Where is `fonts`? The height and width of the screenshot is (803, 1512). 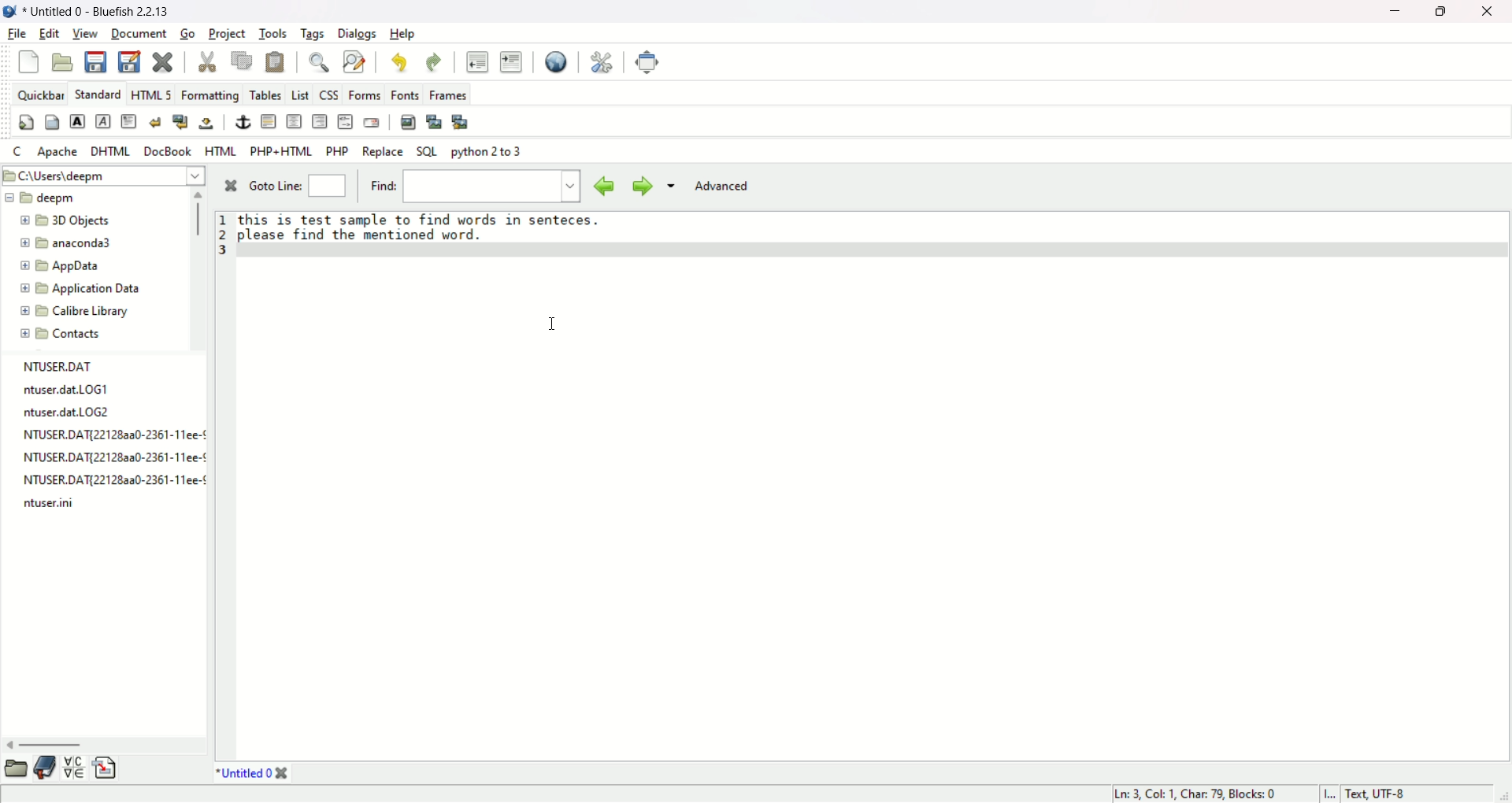 fonts is located at coordinates (406, 94).